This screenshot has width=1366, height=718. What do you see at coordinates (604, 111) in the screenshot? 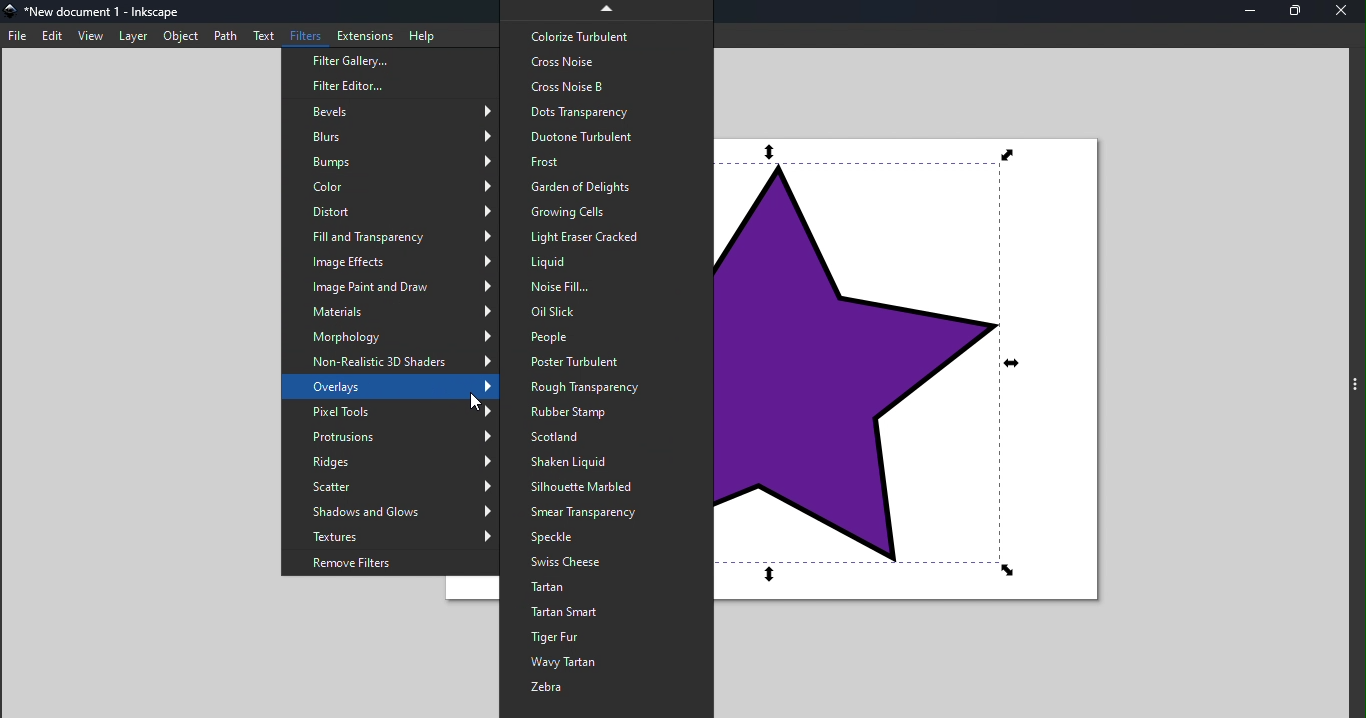
I see `Dots transparency` at bounding box center [604, 111].